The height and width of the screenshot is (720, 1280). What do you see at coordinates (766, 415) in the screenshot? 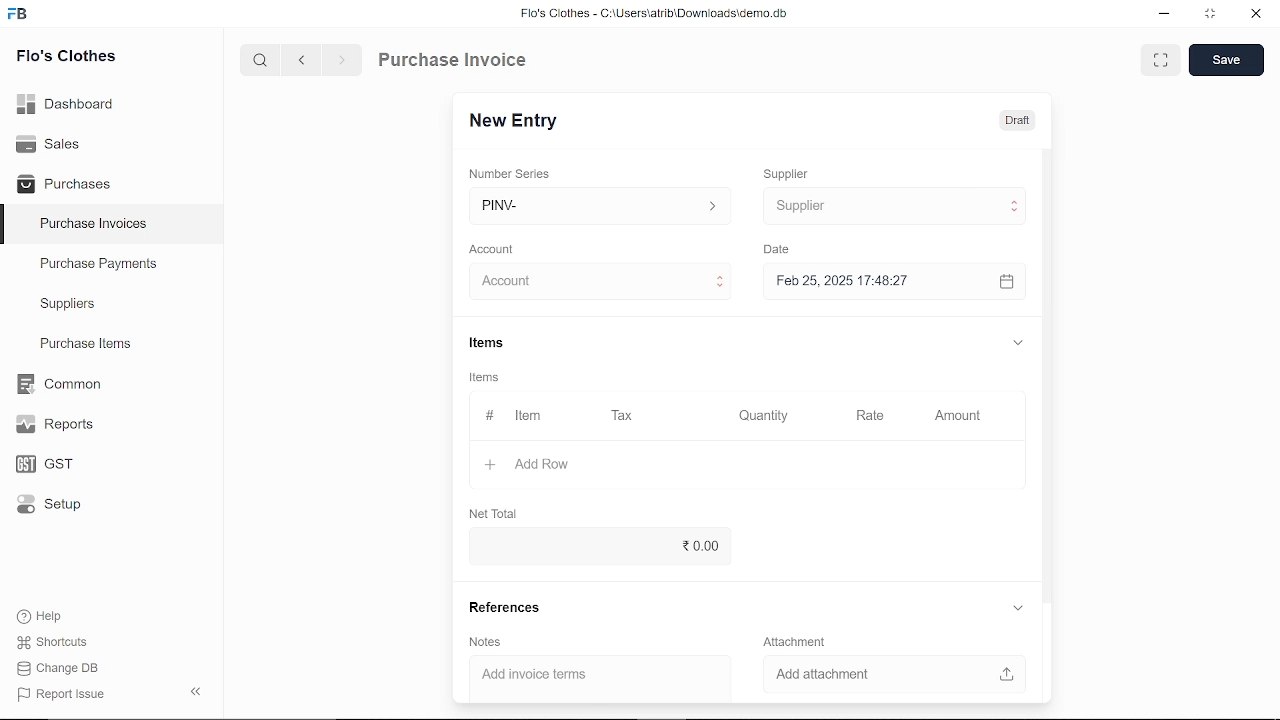
I see `Quantity` at bounding box center [766, 415].